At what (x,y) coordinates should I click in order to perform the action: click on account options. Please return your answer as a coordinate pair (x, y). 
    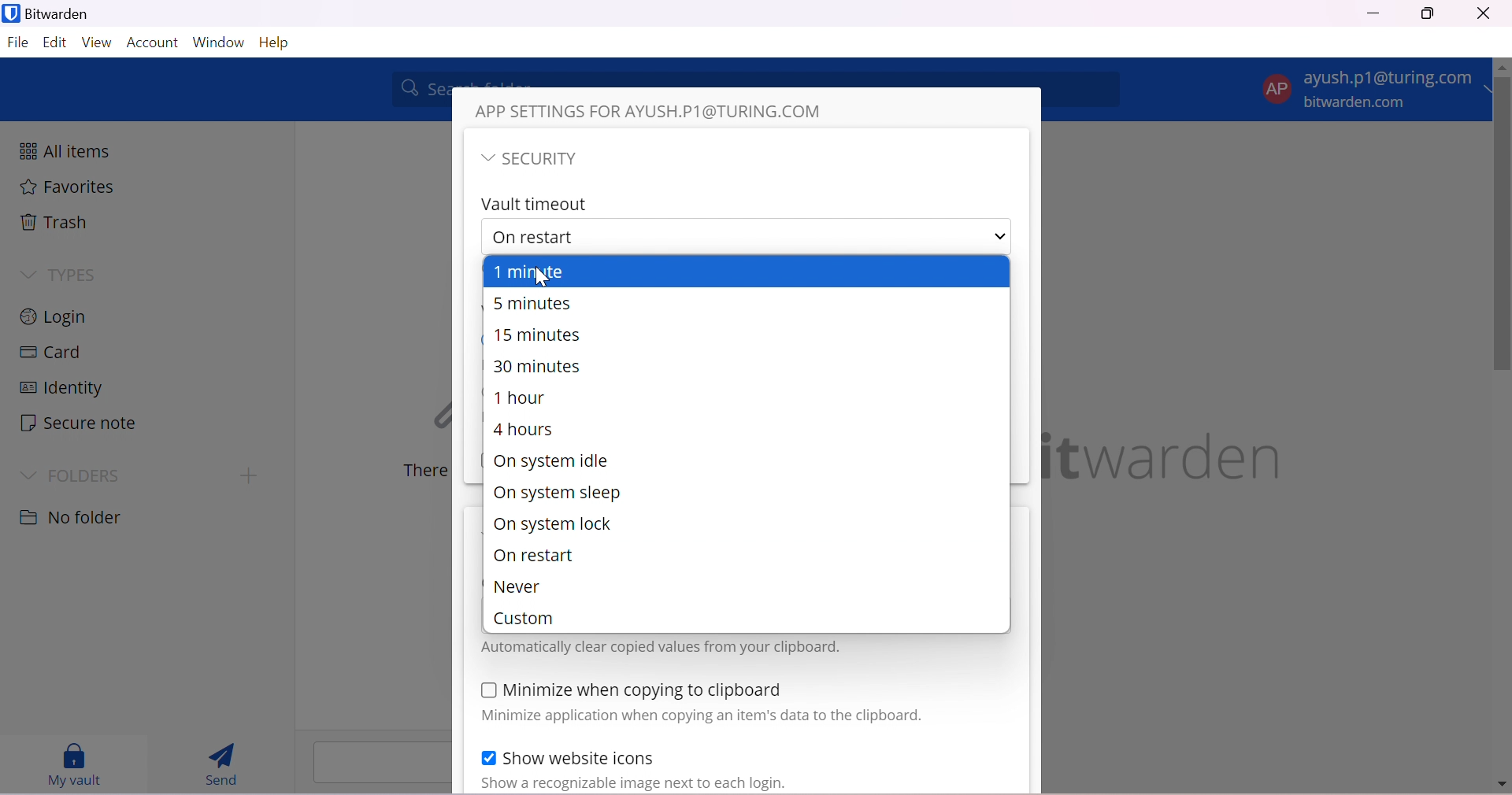
    Looking at the image, I should click on (1371, 87).